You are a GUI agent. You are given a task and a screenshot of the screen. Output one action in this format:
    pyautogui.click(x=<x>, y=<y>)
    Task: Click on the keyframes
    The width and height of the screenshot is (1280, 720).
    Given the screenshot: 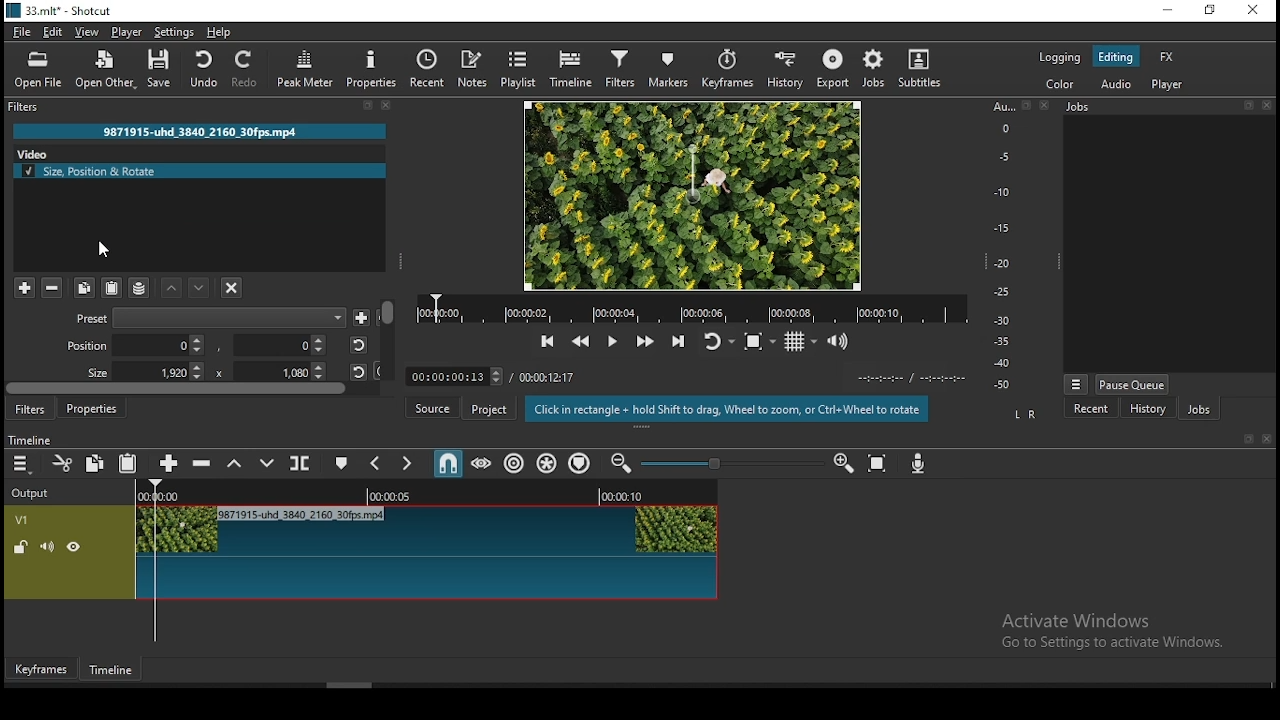 What is the action you would take?
    pyautogui.click(x=727, y=68)
    